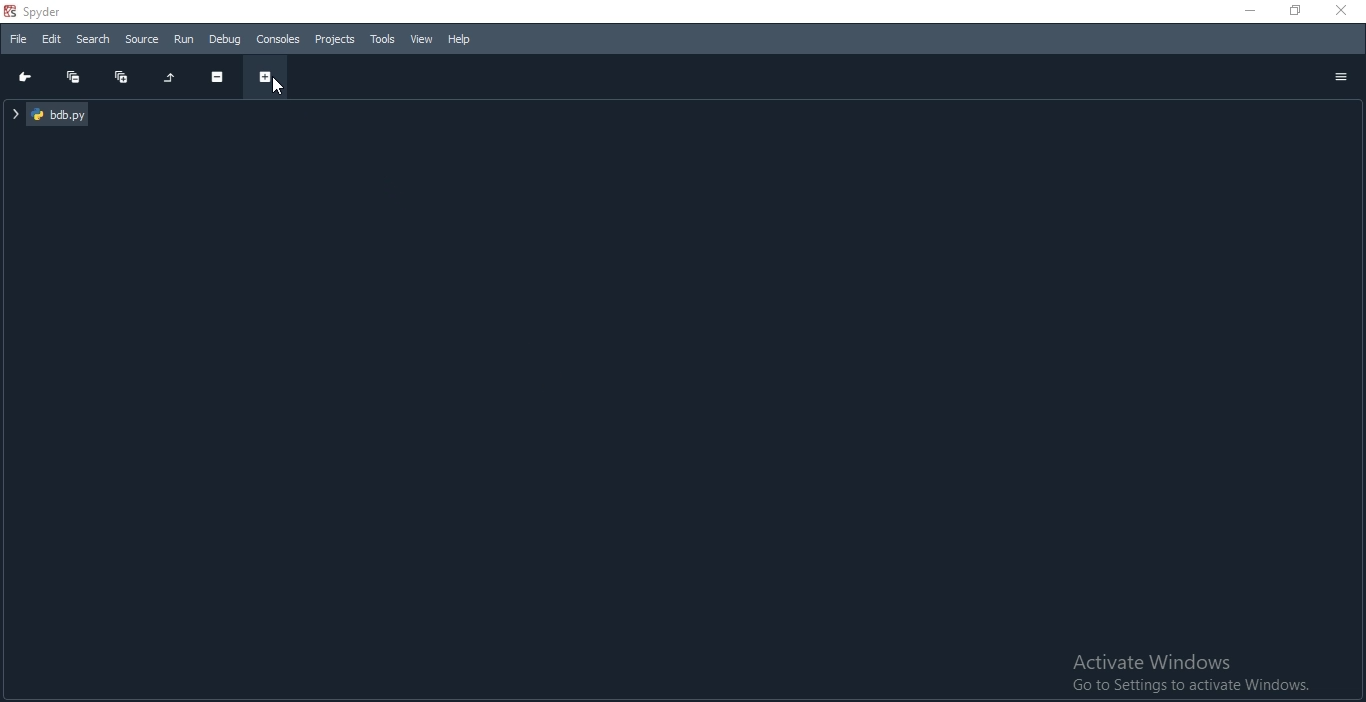 This screenshot has height=702, width=1366. What do you see at coordinates (224, 39) in the screenshot?
I see `Debug` at bounding box center [224, 39].